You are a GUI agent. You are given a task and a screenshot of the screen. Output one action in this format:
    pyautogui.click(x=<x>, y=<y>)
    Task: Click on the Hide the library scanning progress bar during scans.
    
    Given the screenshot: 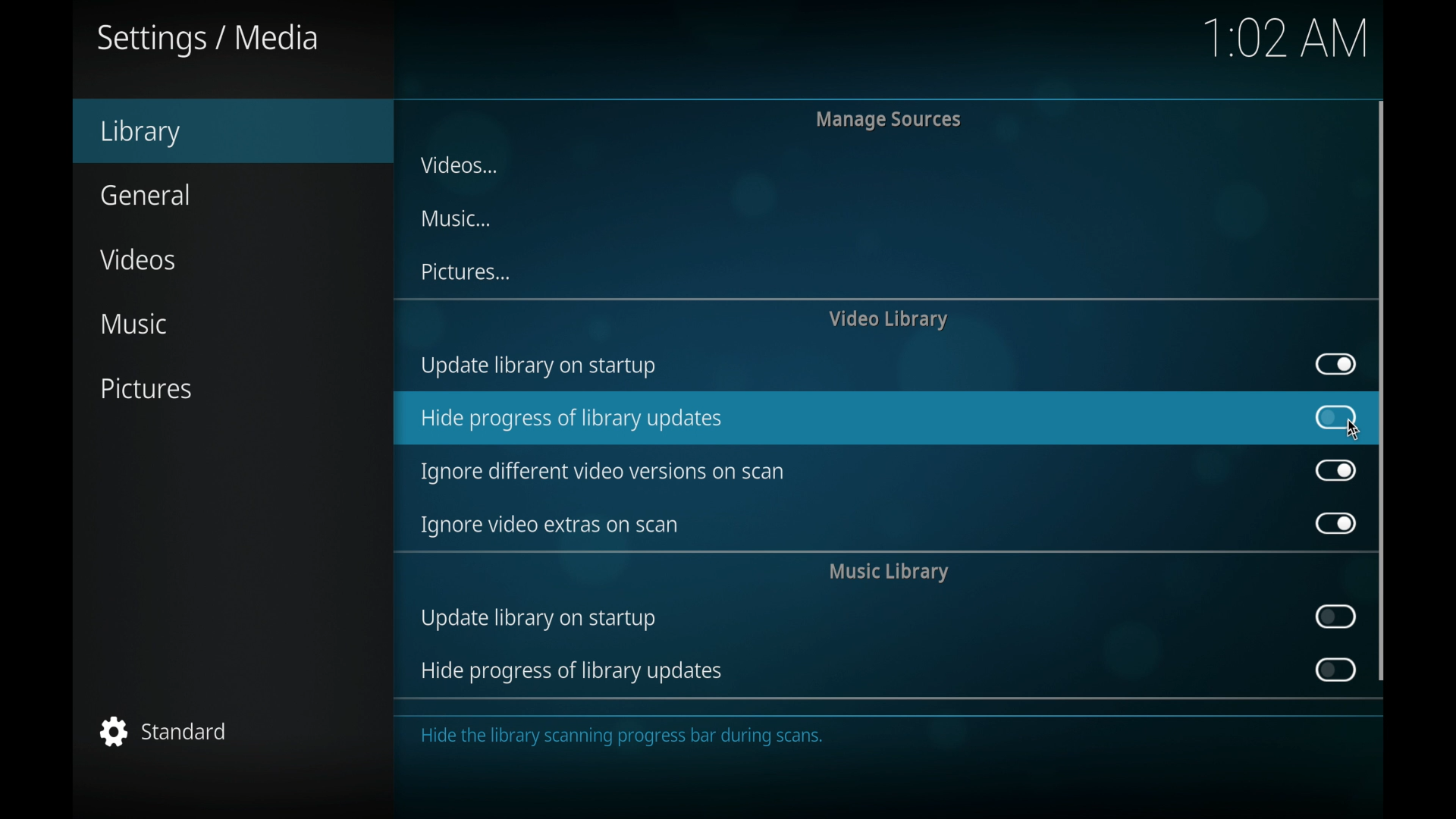 What is the action you would take?
    pyautogui.click(x=634, y=743)
    